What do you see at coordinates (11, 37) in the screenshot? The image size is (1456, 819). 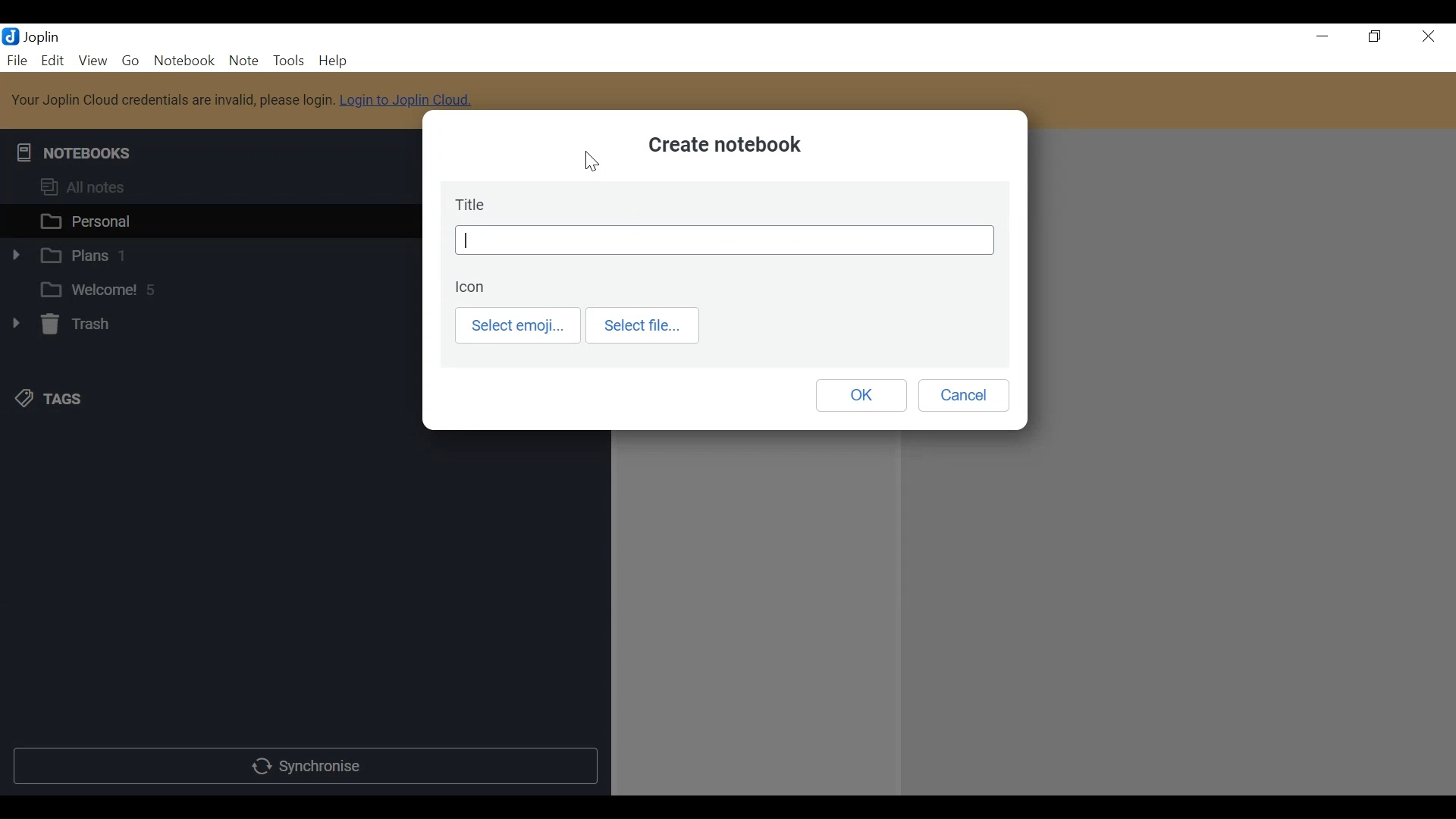 I see `Joplin Desktop Icon` at bounding box center [11, 37].